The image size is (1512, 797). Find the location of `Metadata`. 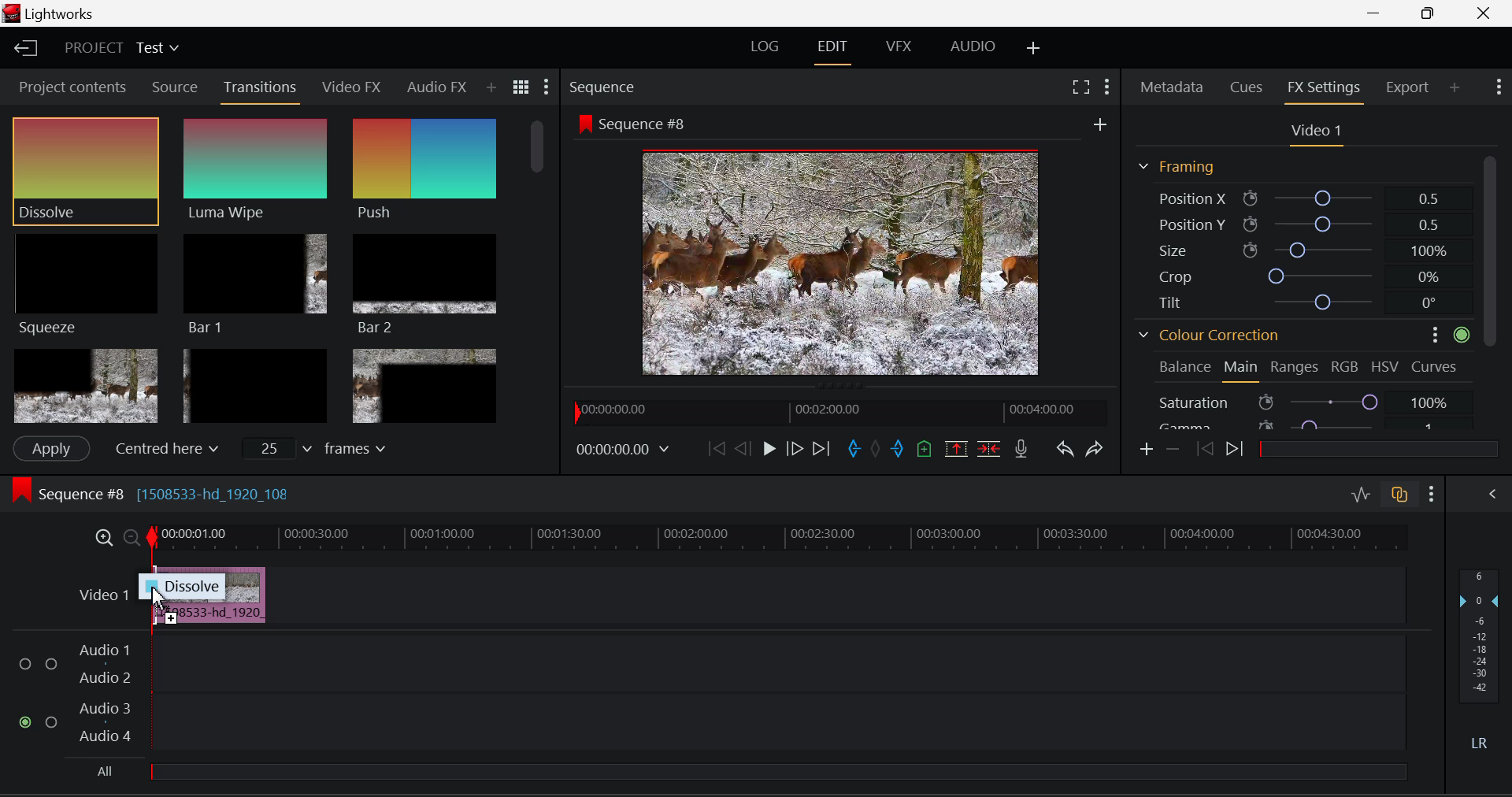

Metadata is located at coordinates (1172, 88).